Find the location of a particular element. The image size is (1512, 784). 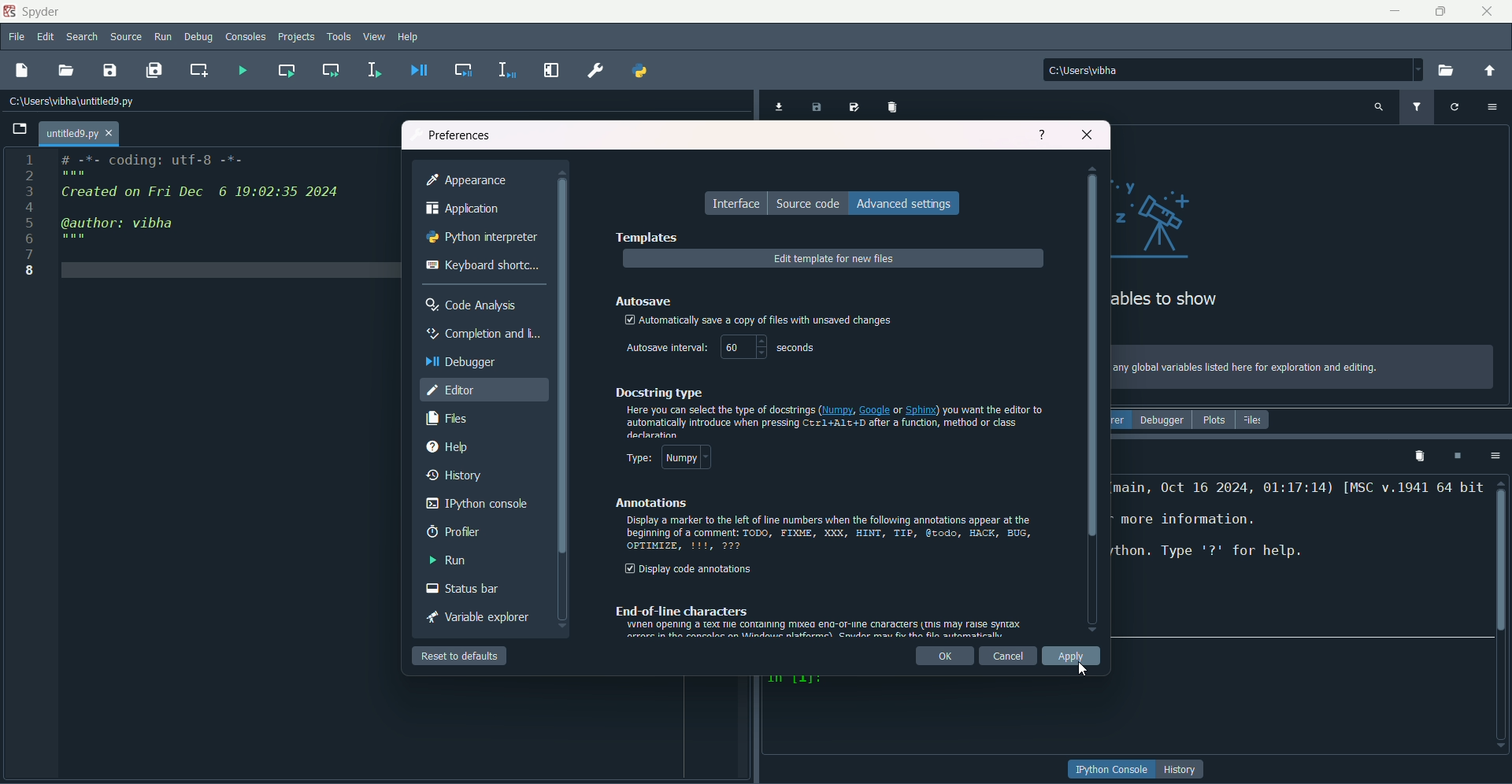

interrupt kernel is located at coordinates (1456, 456).